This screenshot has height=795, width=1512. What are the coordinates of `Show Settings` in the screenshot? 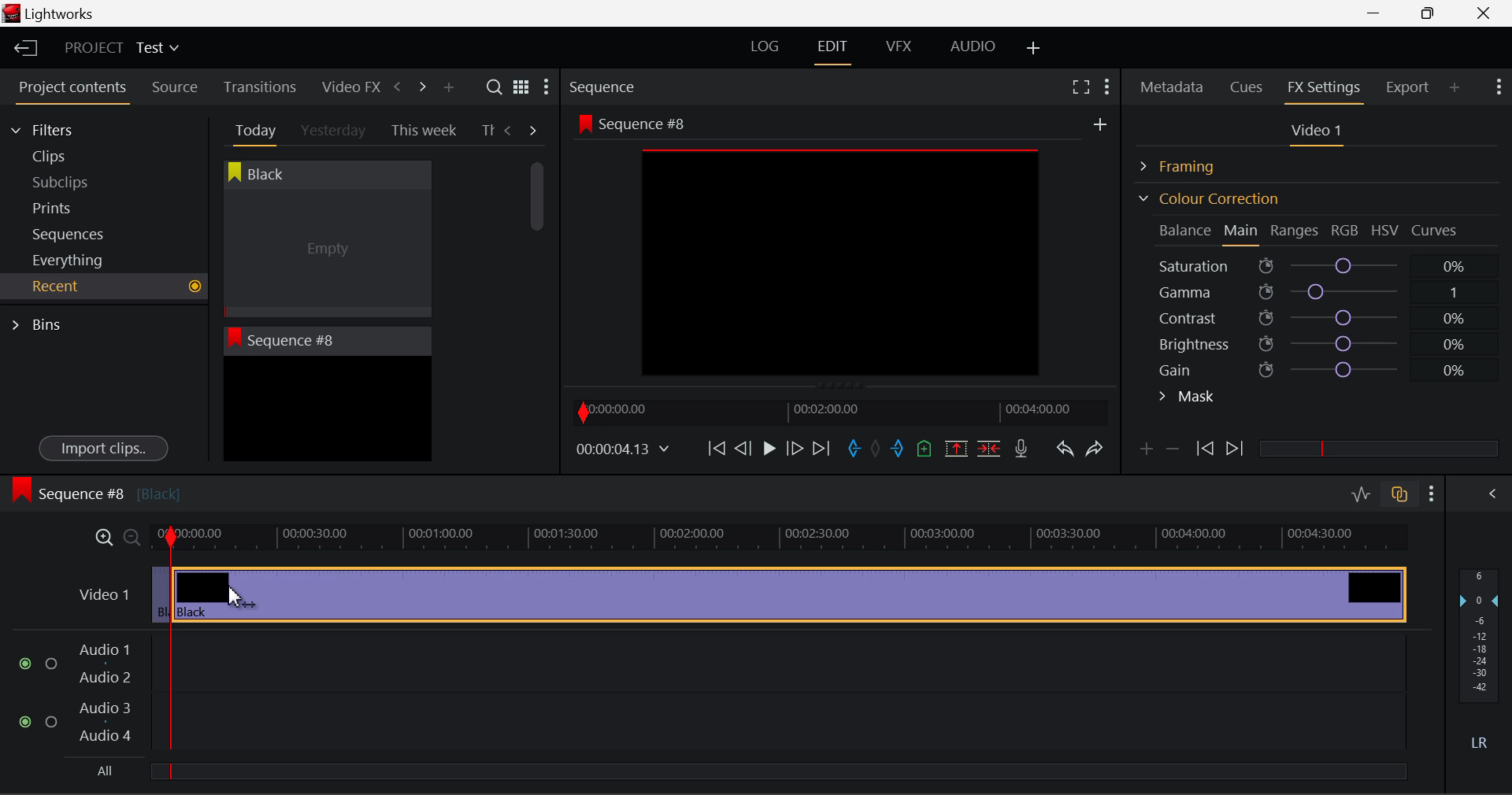 It's located at (1106, 84).